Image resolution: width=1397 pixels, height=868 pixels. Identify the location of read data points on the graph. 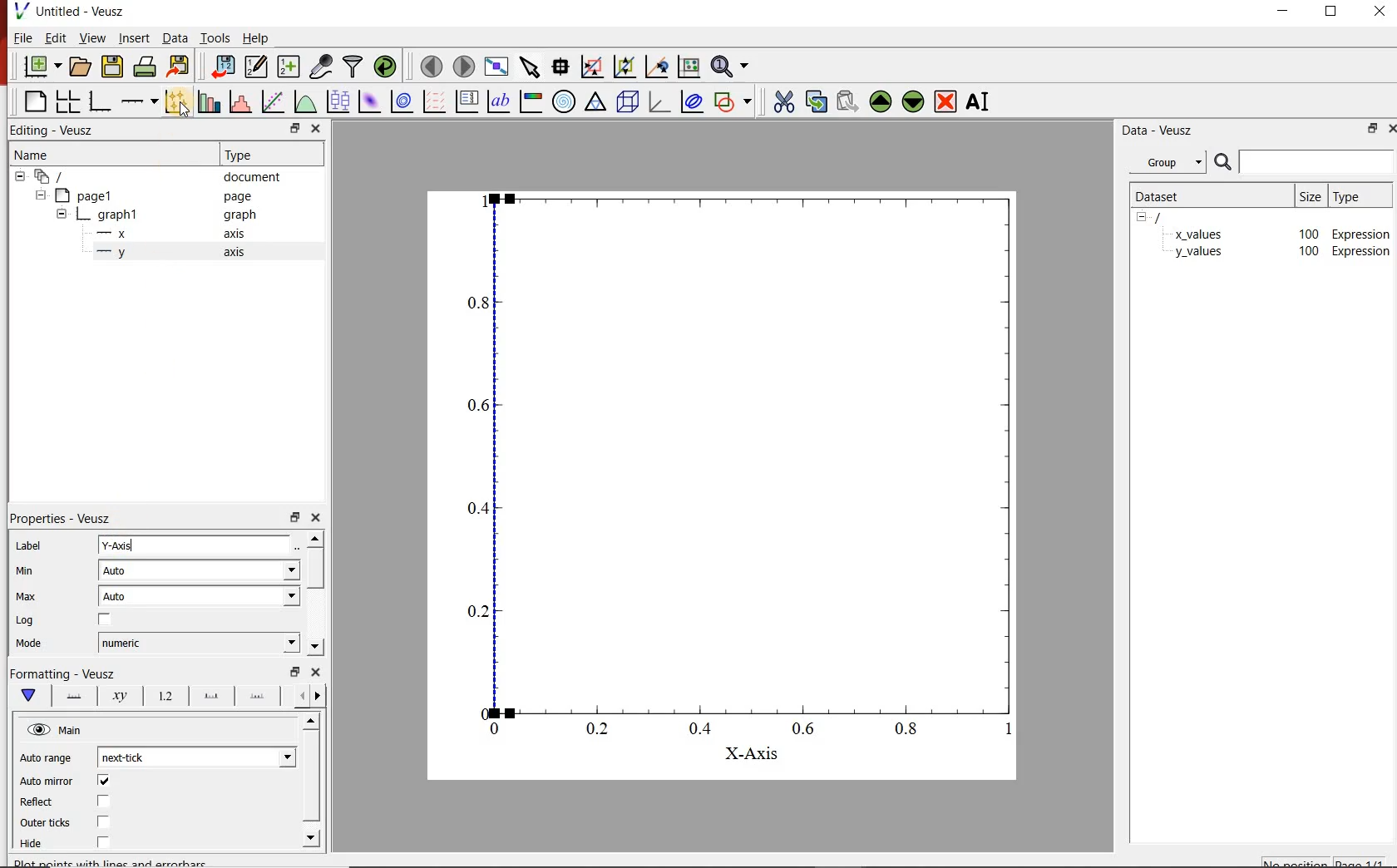
(561, 66).